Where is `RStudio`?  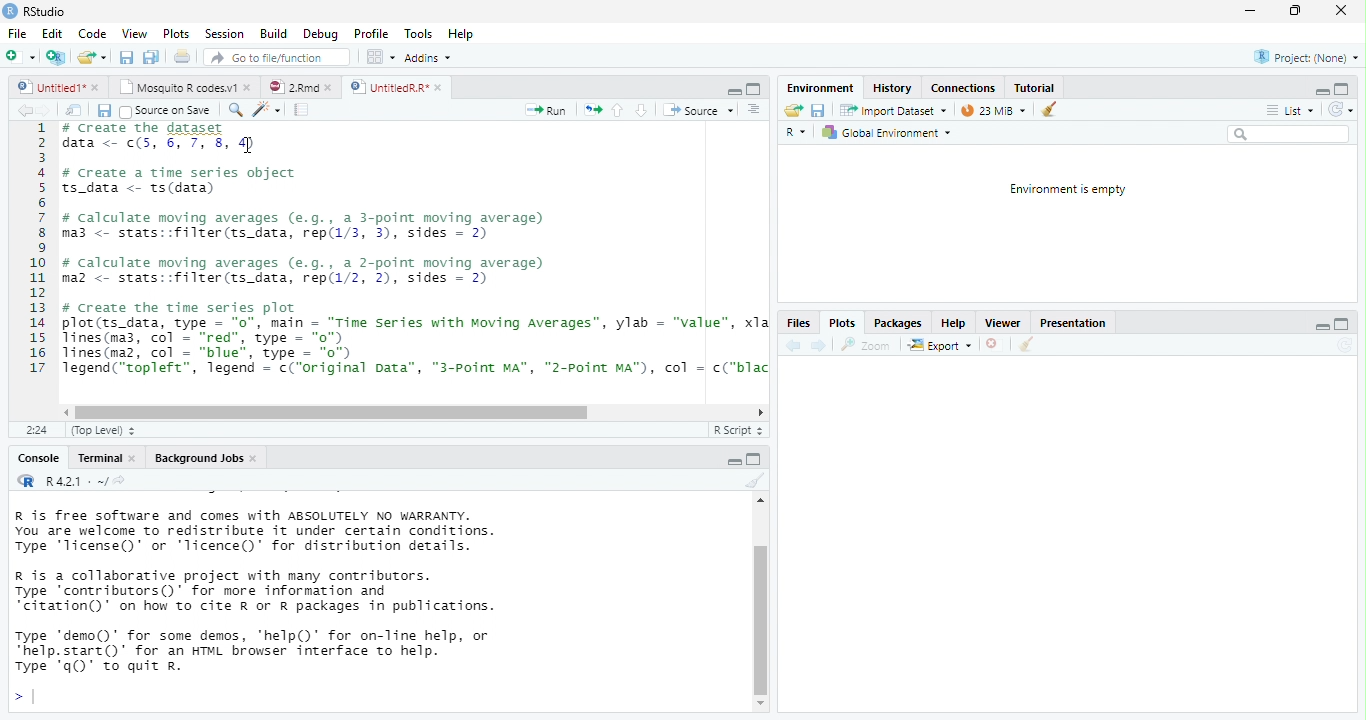 RStudio is located at coordinates (36, 10).